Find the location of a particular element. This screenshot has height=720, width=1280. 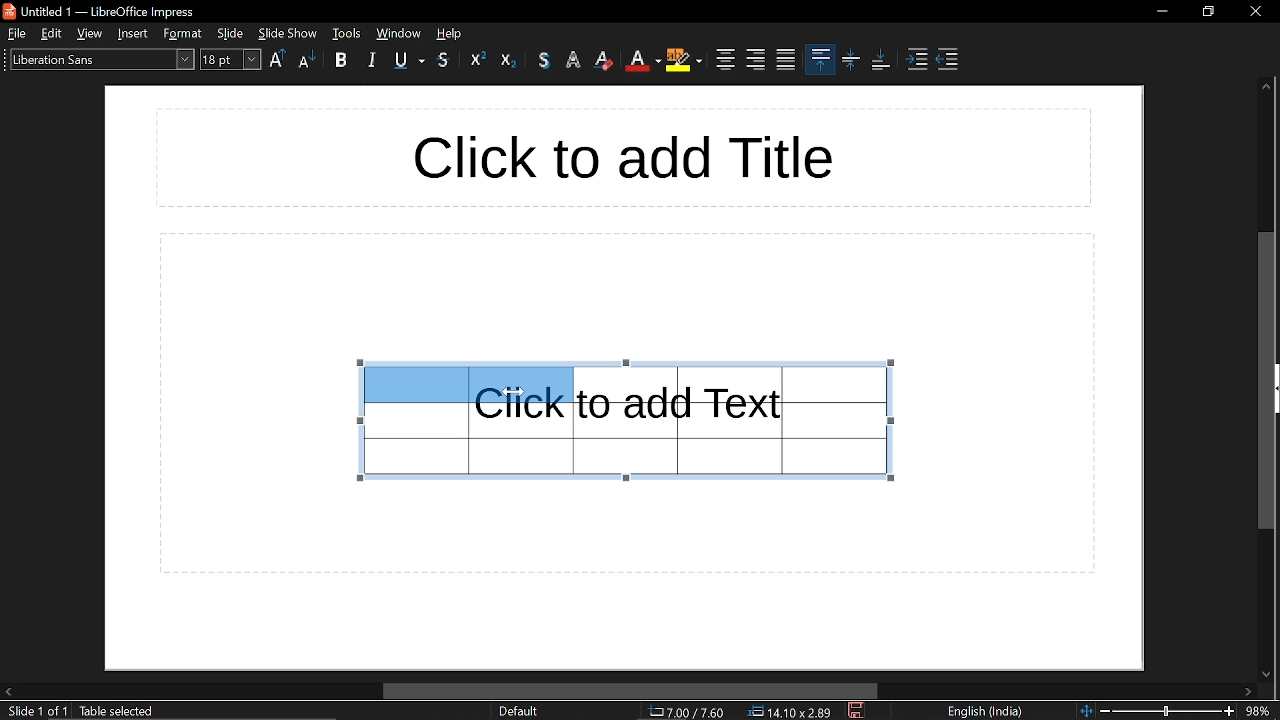

Uppercase is located at coordinates (278, 60).